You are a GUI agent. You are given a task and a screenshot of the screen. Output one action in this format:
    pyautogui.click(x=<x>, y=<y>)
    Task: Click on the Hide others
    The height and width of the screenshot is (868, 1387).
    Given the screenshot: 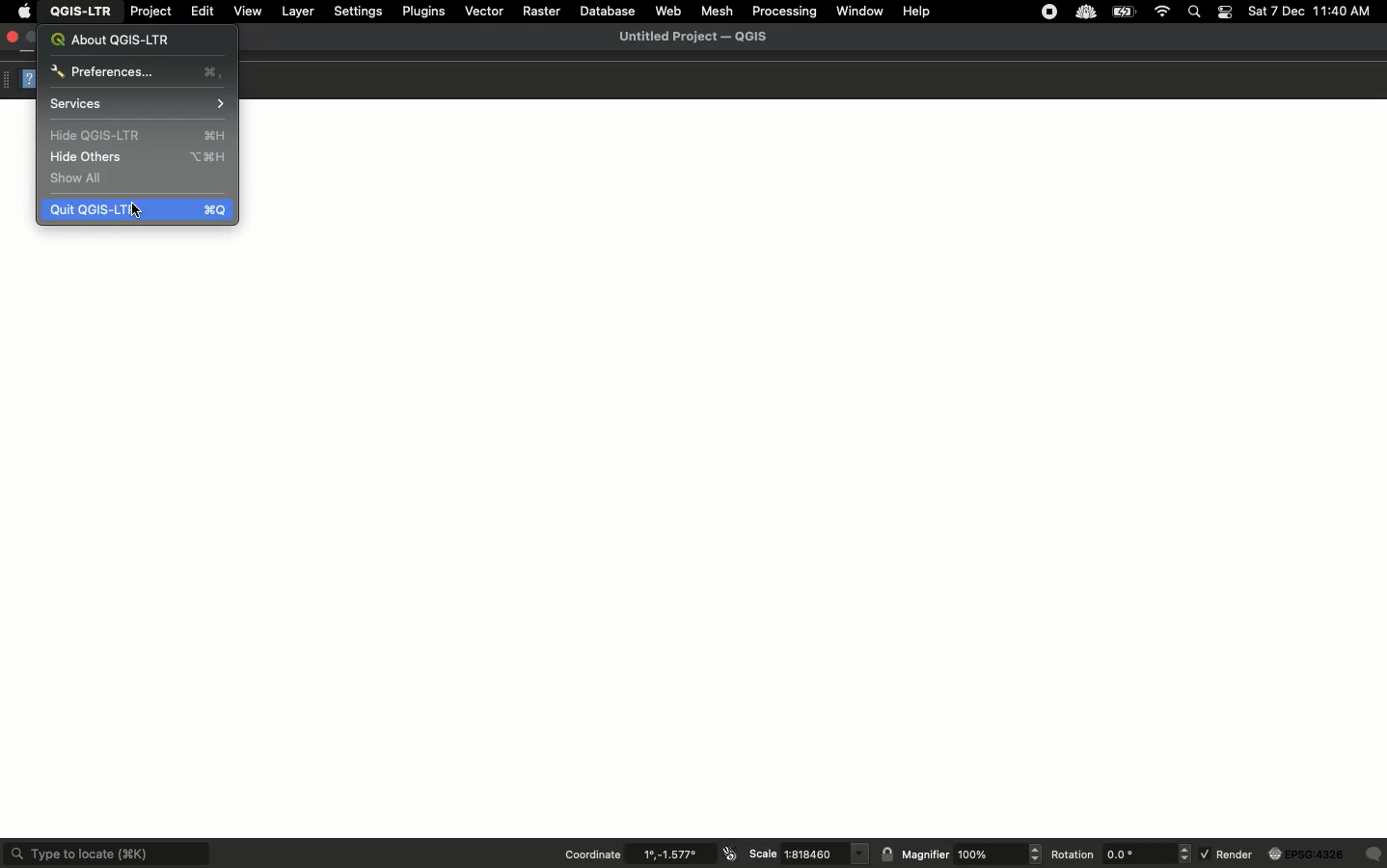 What is the action you would take?
    pyautogui.click(x=141, y=157)
    